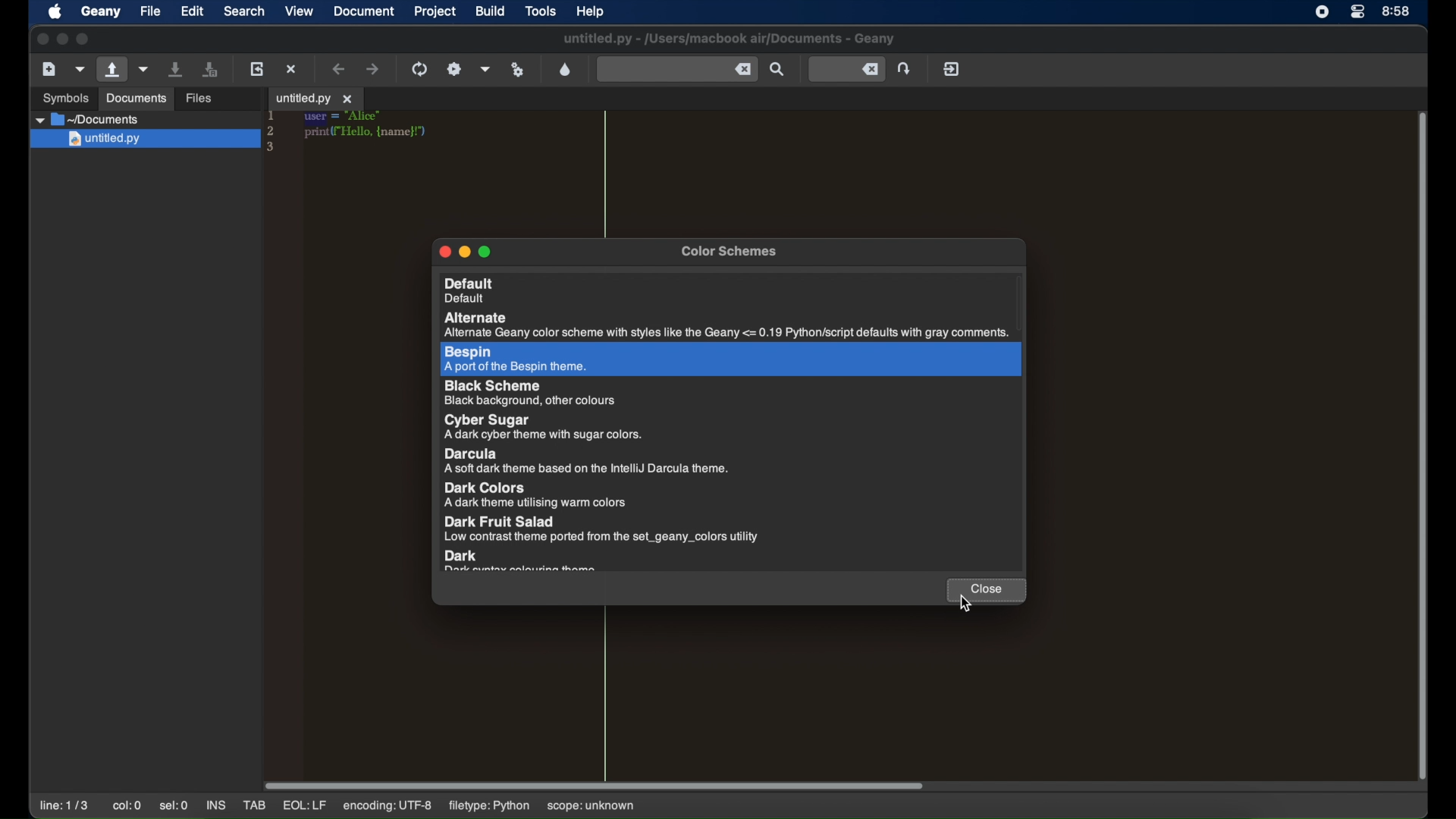  Describe the element at coordinates (200, 99) in the screenshot. I see `files` at that location.